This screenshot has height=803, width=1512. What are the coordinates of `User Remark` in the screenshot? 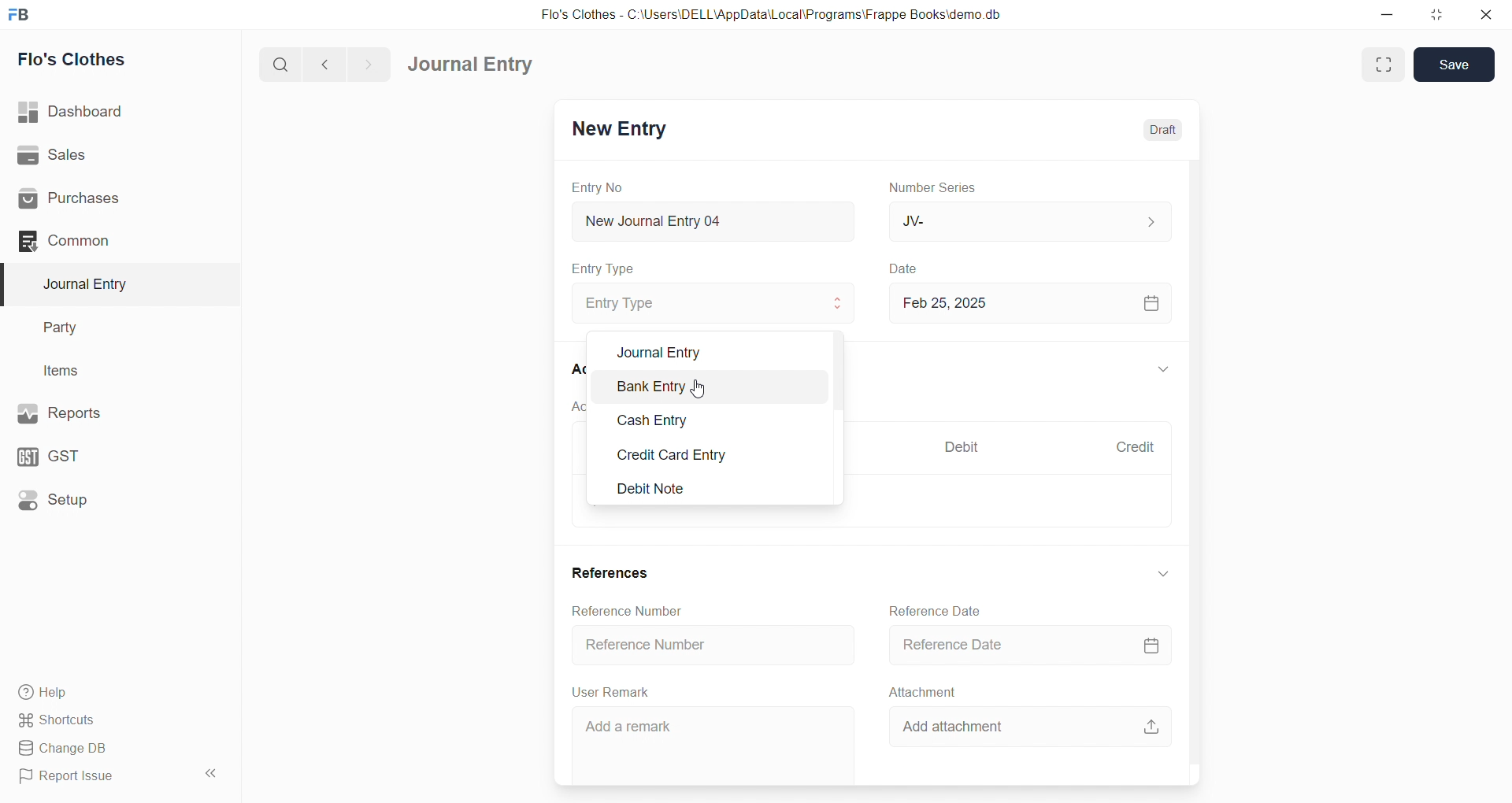 It's located at (614, 691).